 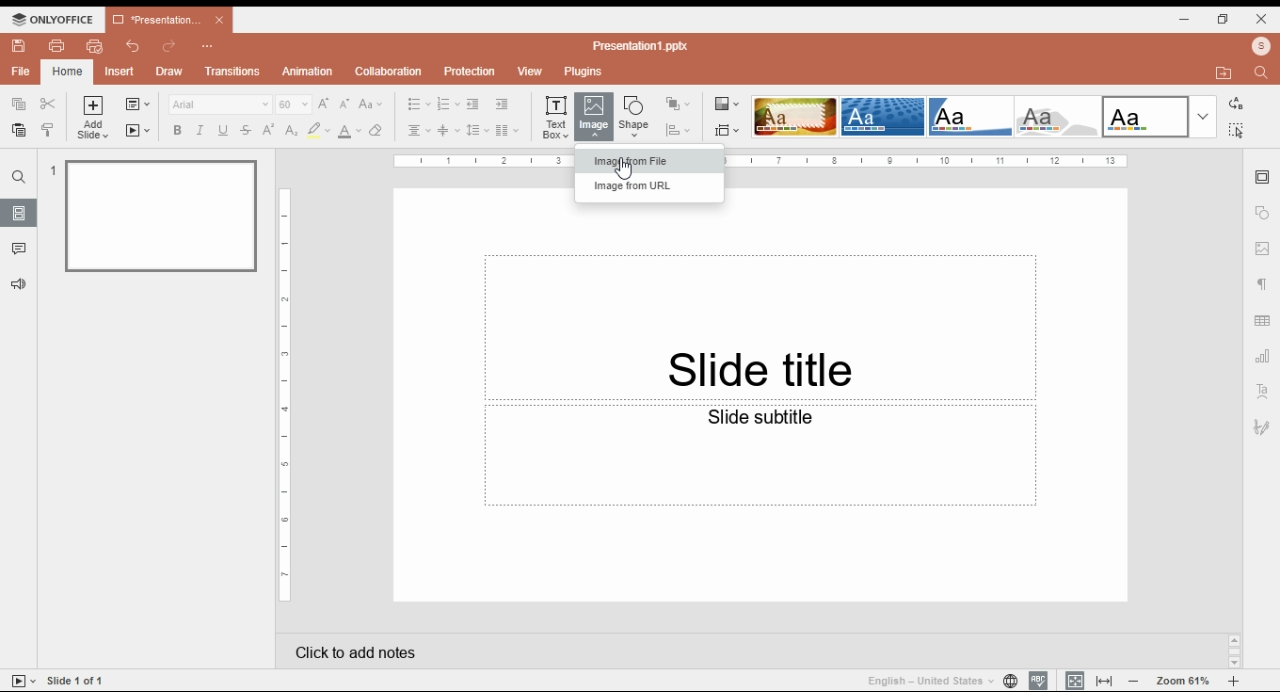 What do you see at coordinates (556, 118) in the screenshot?
I see `insert text box` at bounding box center [556, 118].